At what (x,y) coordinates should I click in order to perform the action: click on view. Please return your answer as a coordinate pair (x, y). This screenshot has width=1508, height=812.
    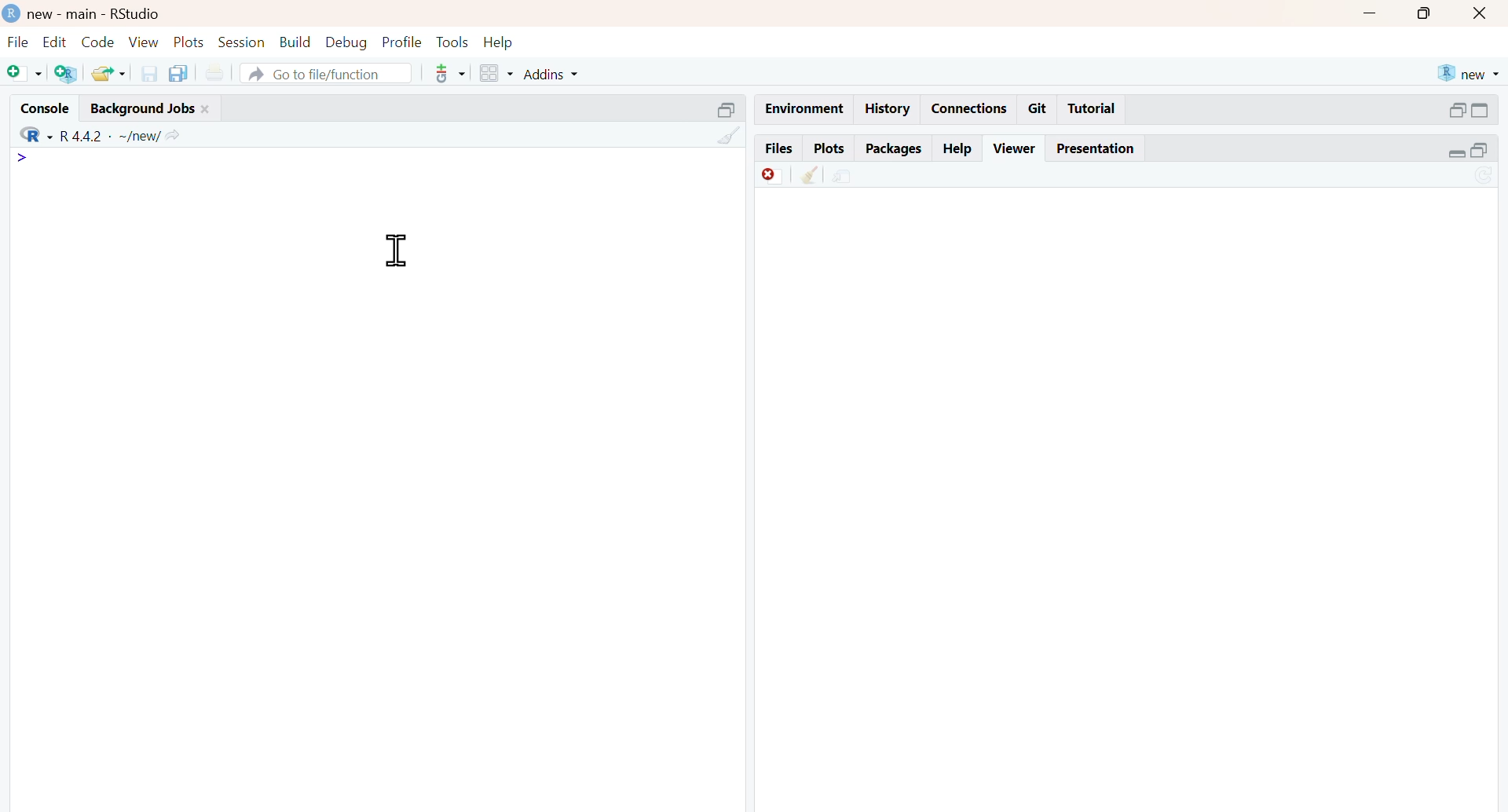
    Looking at the image, I should click on (144, 42).